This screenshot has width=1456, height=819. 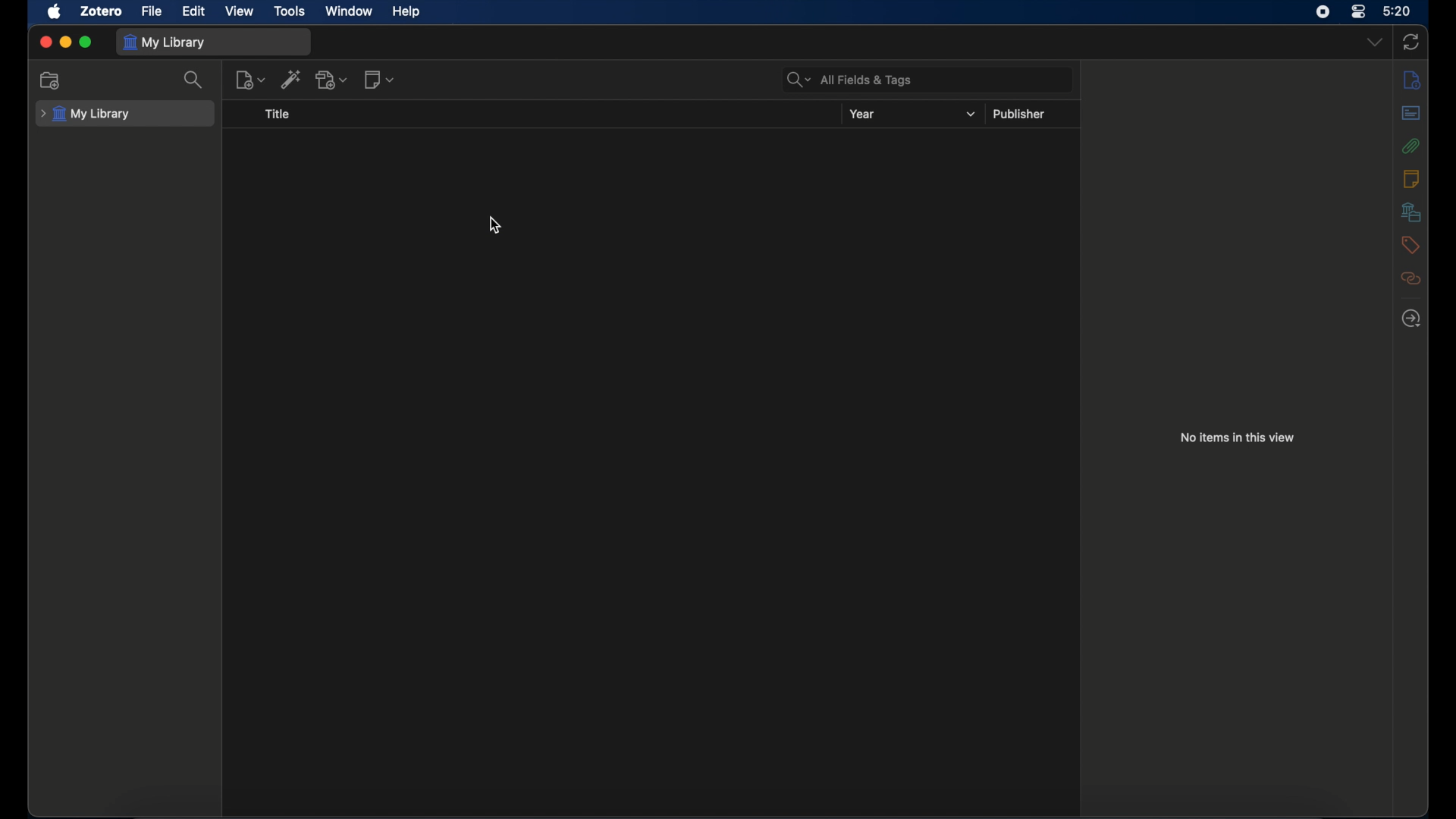 I want to click on time, so click(x=1398, y=10).